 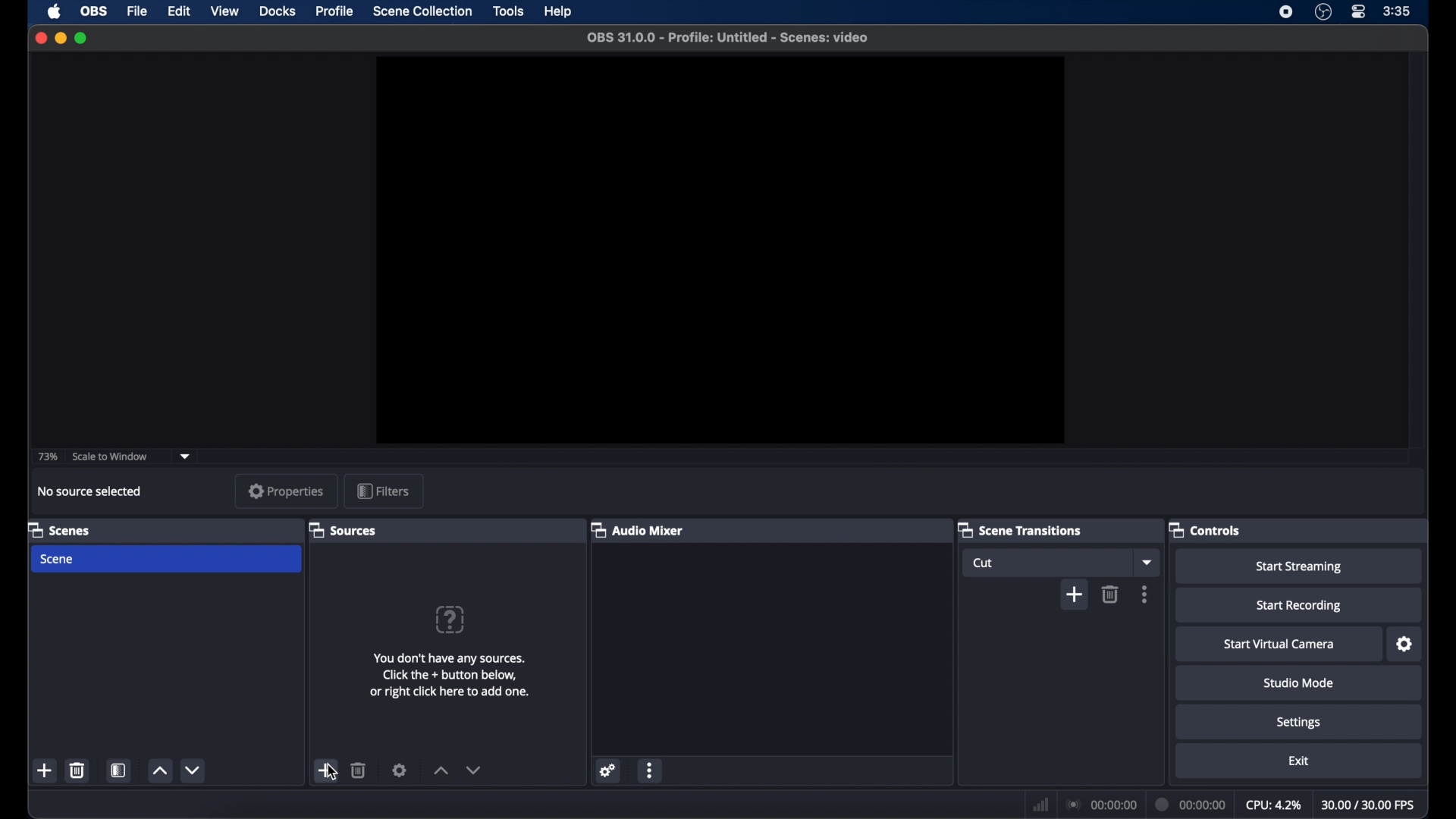 I want to click on more options, so click(x=651, y=770).